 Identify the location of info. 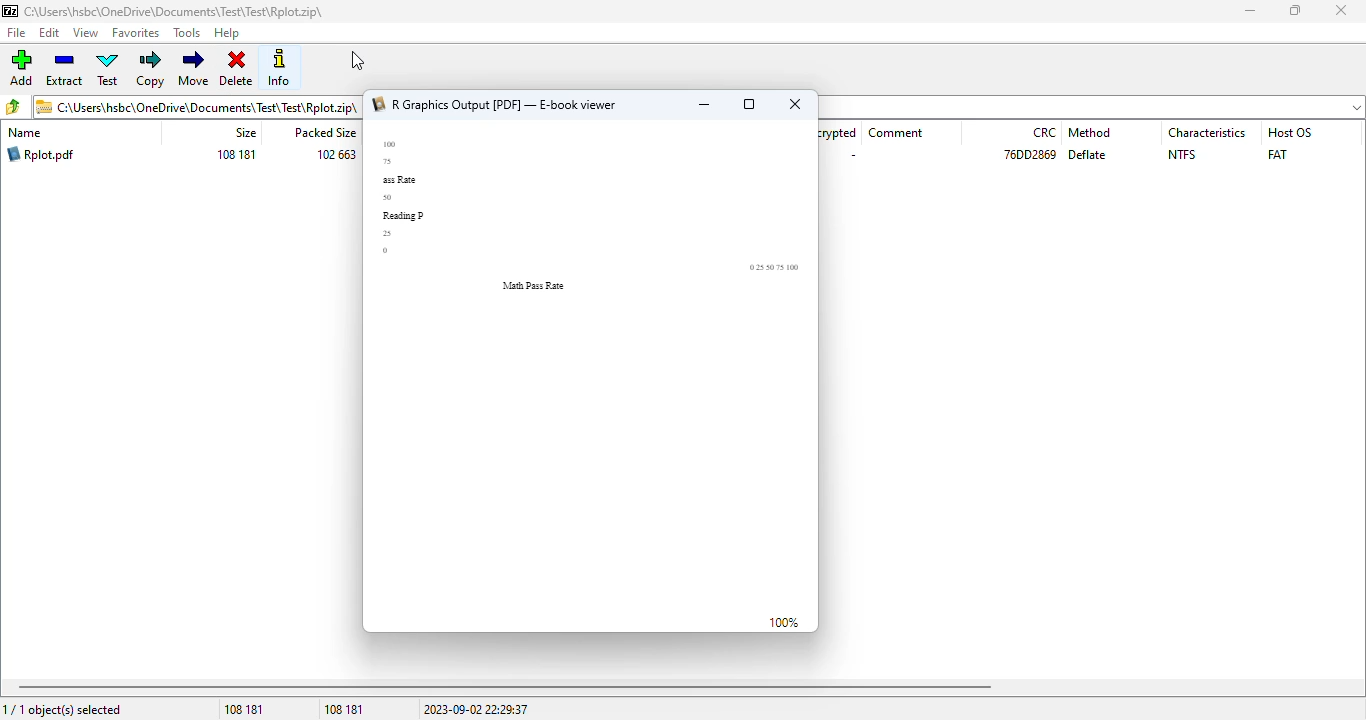
(278, 67).